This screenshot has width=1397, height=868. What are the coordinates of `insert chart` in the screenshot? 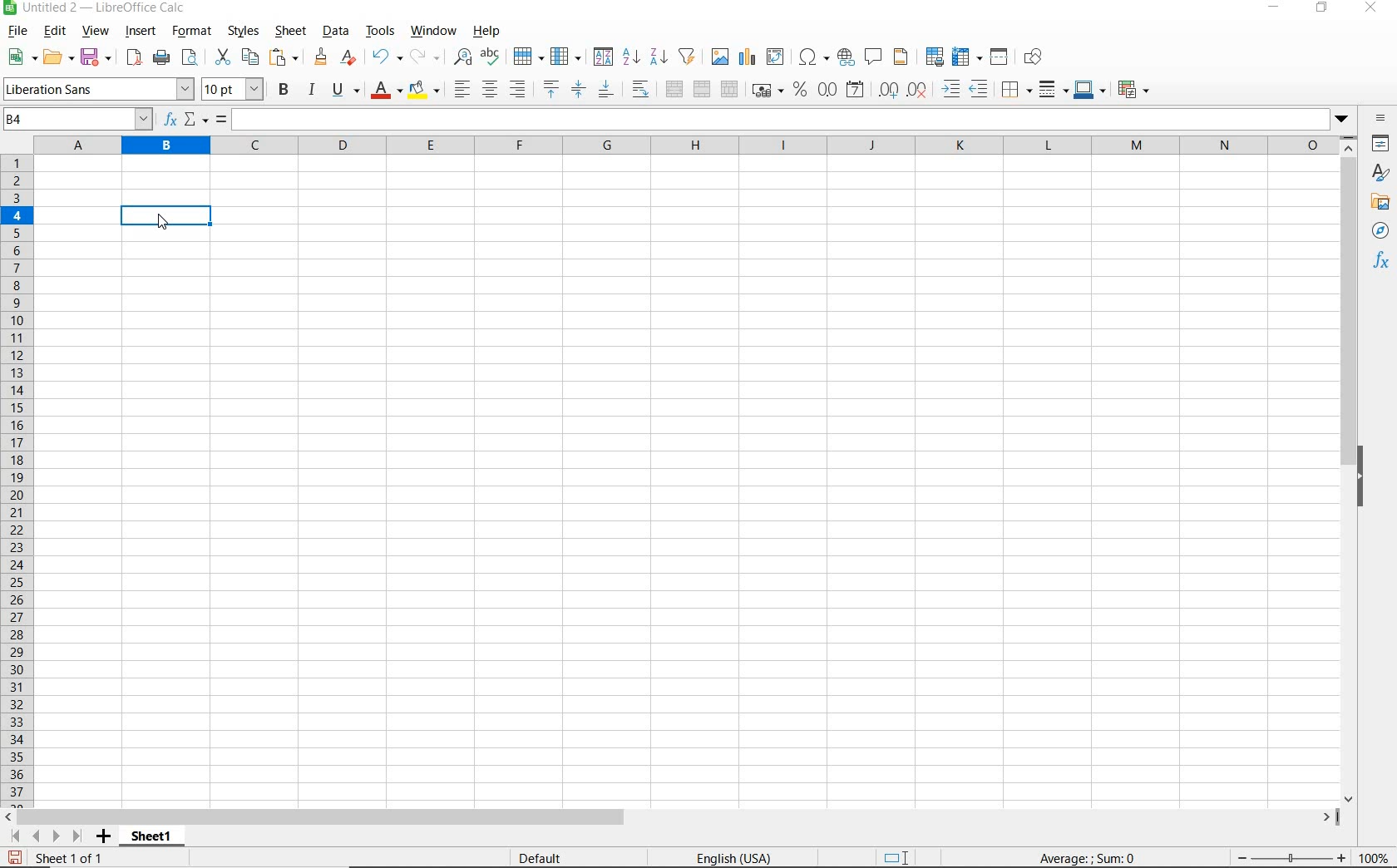 It's located at (747, 58).